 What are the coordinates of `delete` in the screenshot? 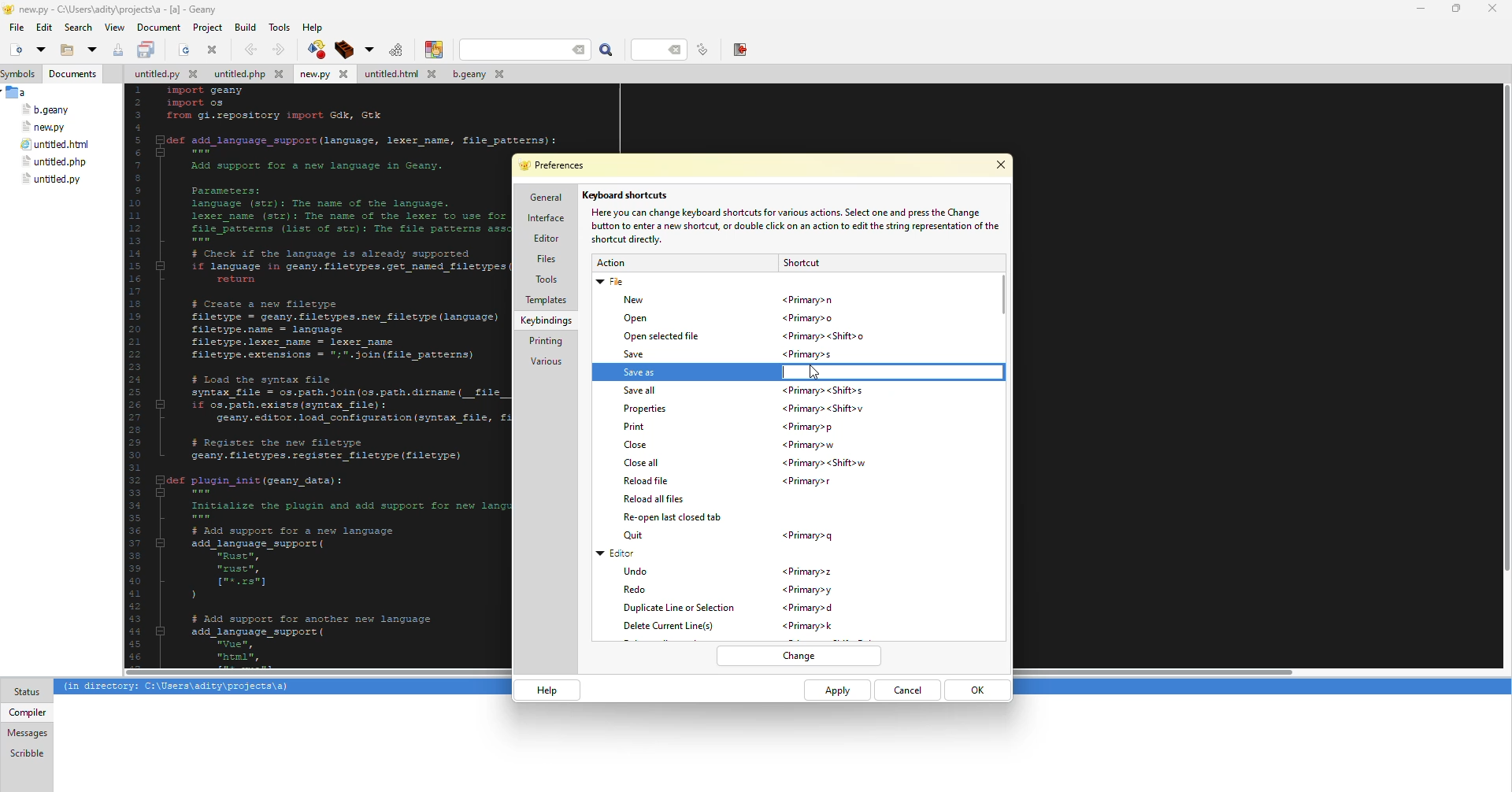 It's located at (674, 626).